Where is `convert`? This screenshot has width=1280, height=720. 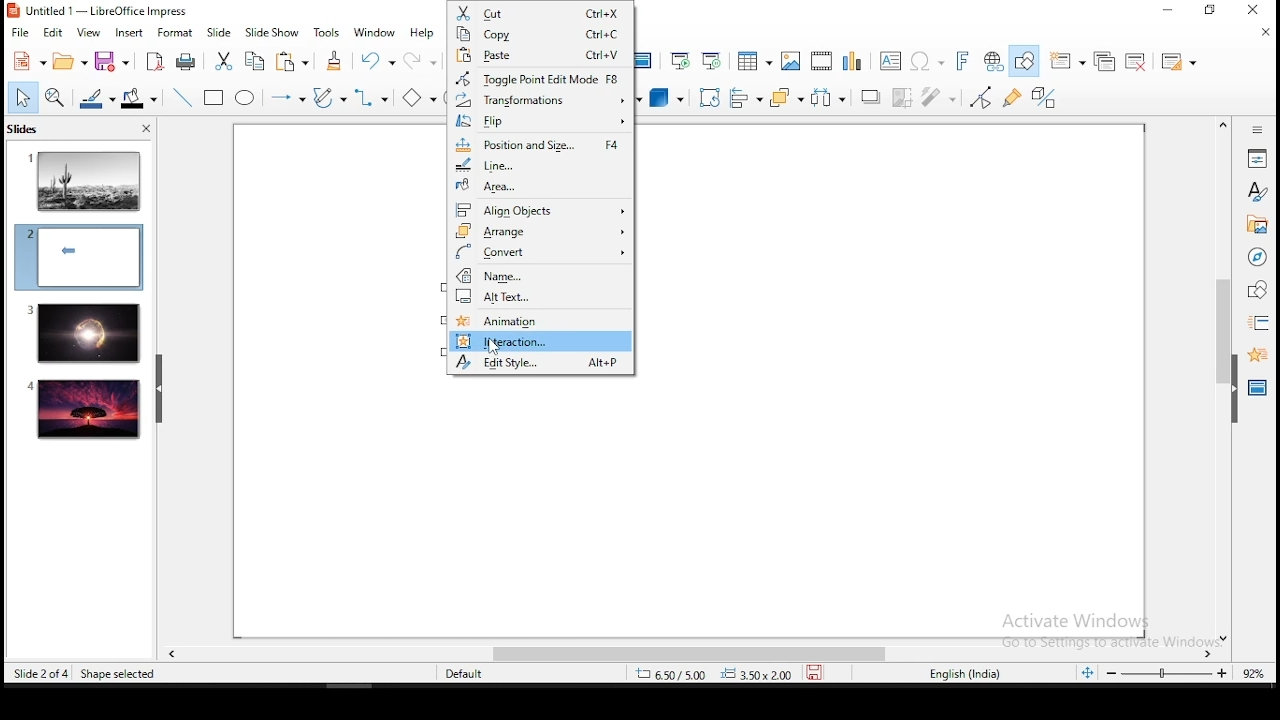 convert is located at coordinates (539, 253).